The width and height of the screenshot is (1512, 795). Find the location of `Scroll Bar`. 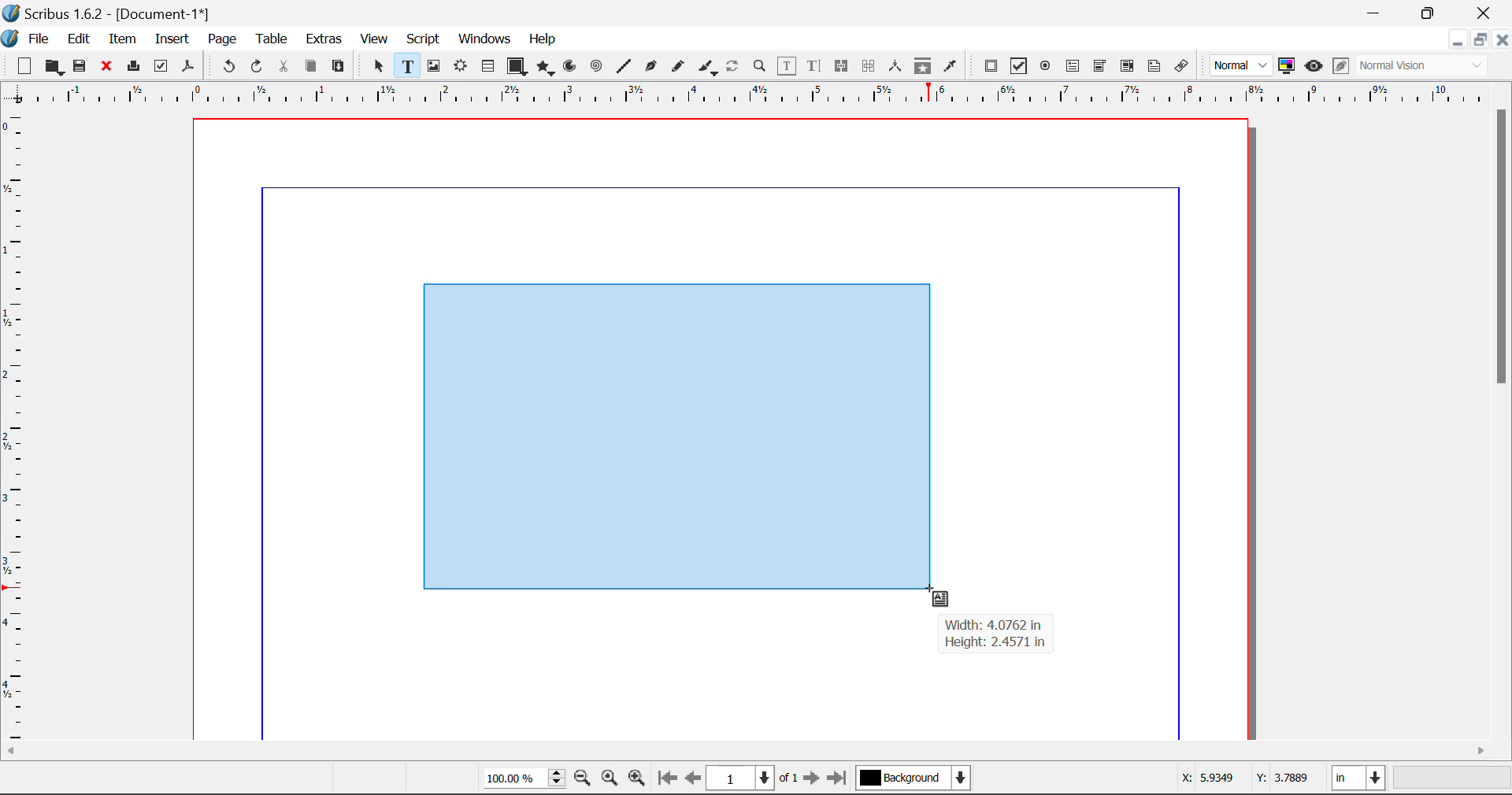

Scroll Bar is located at coordinates (757, 752).